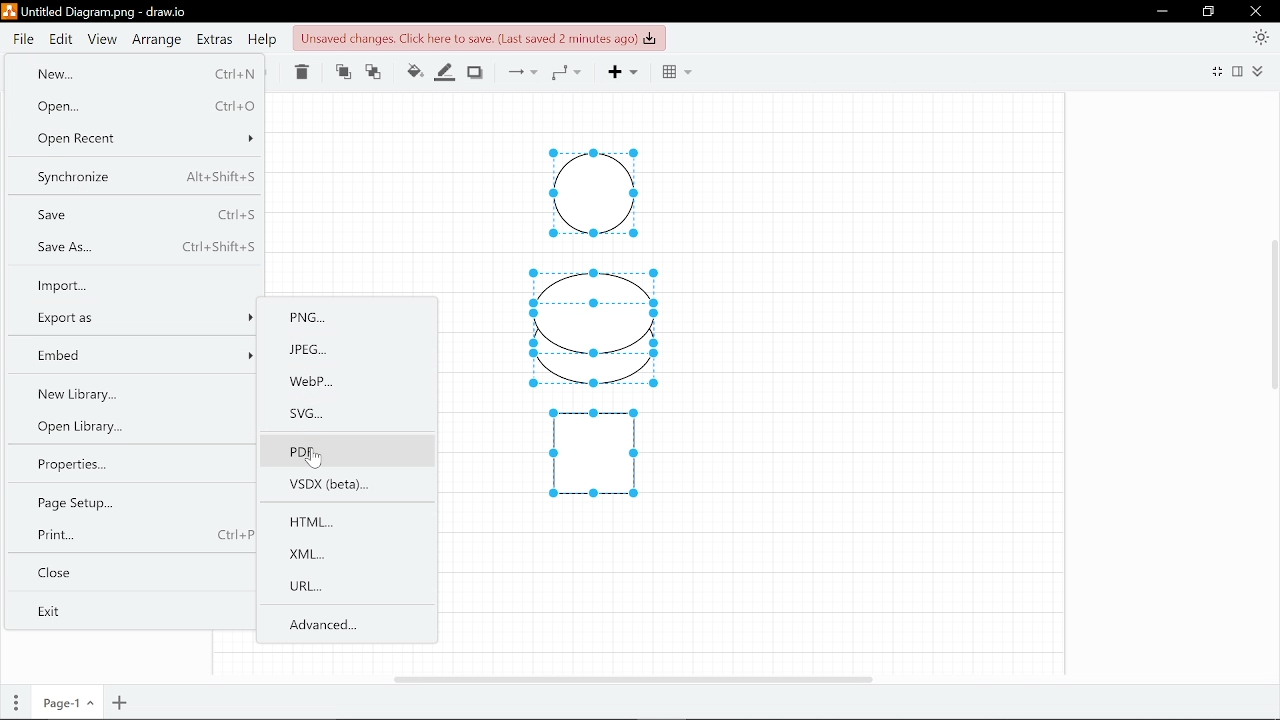 The image size is (1280, 720). Describe the element at coordinates (351, 523) in the screenshot. I see `HTML` at that location.